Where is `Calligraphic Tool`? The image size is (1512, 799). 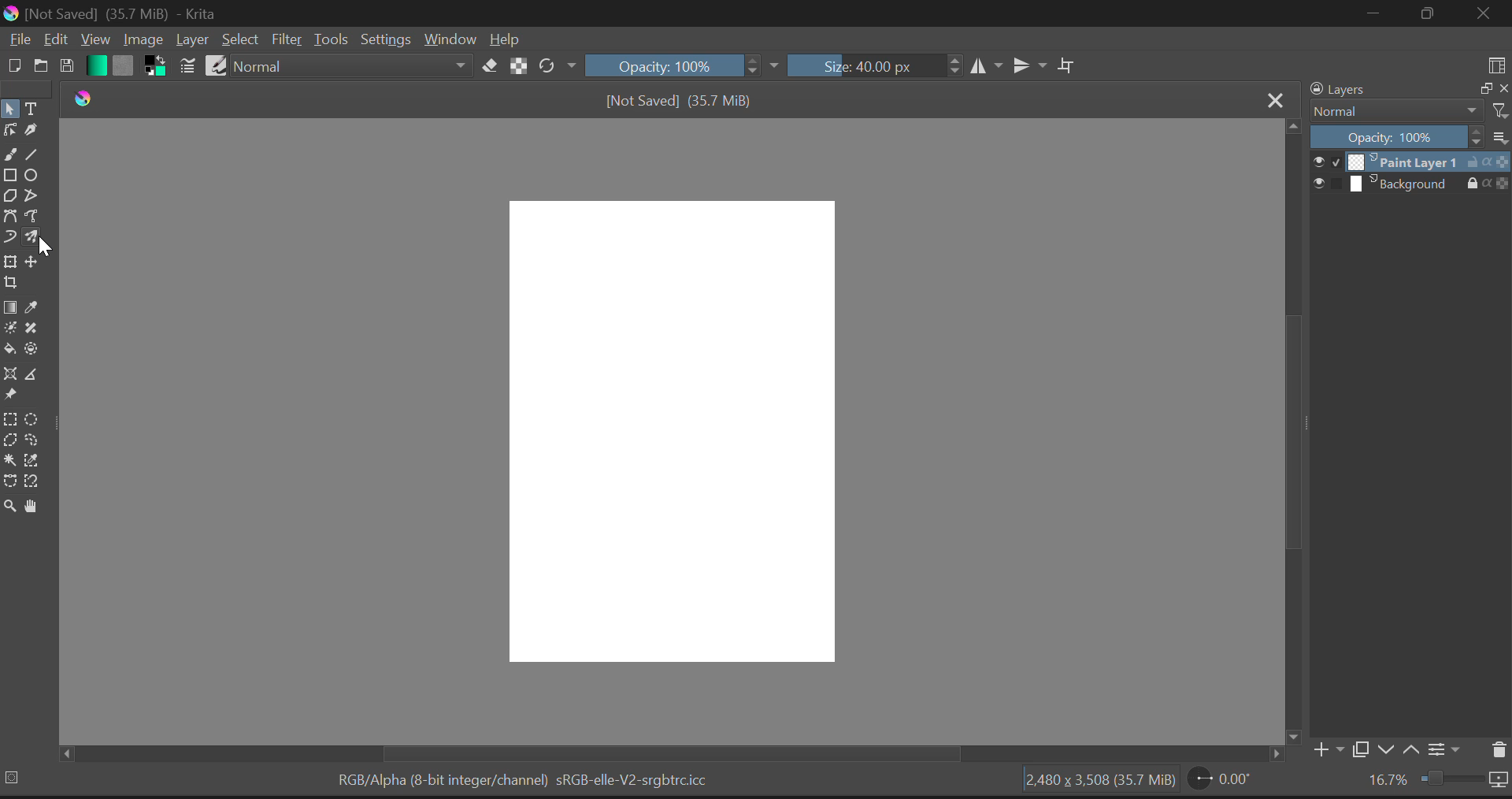 Calligraphic Tool is located at coordinates (34, 128).